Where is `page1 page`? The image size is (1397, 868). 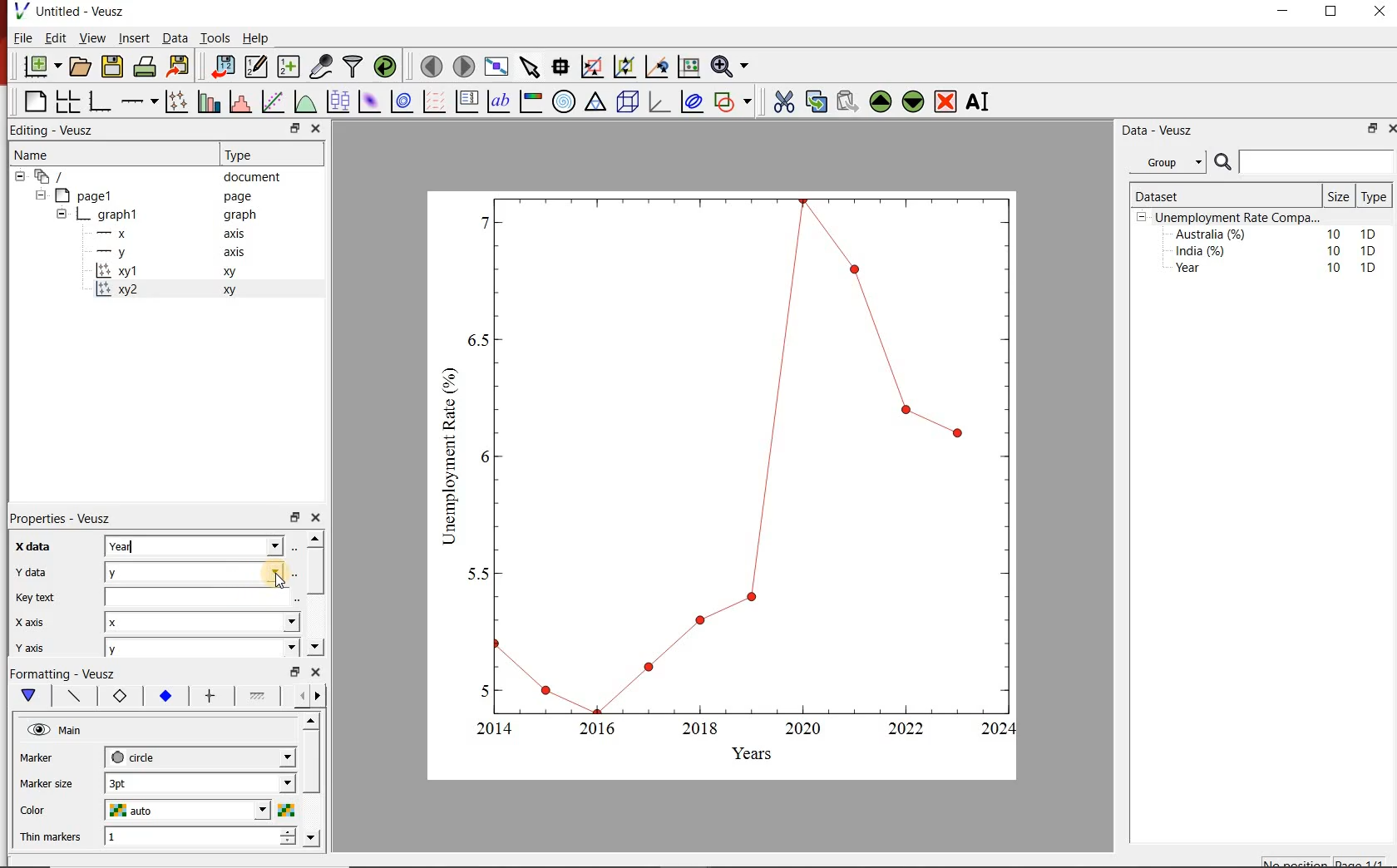
page1 page is located at coordinates (160, 195).